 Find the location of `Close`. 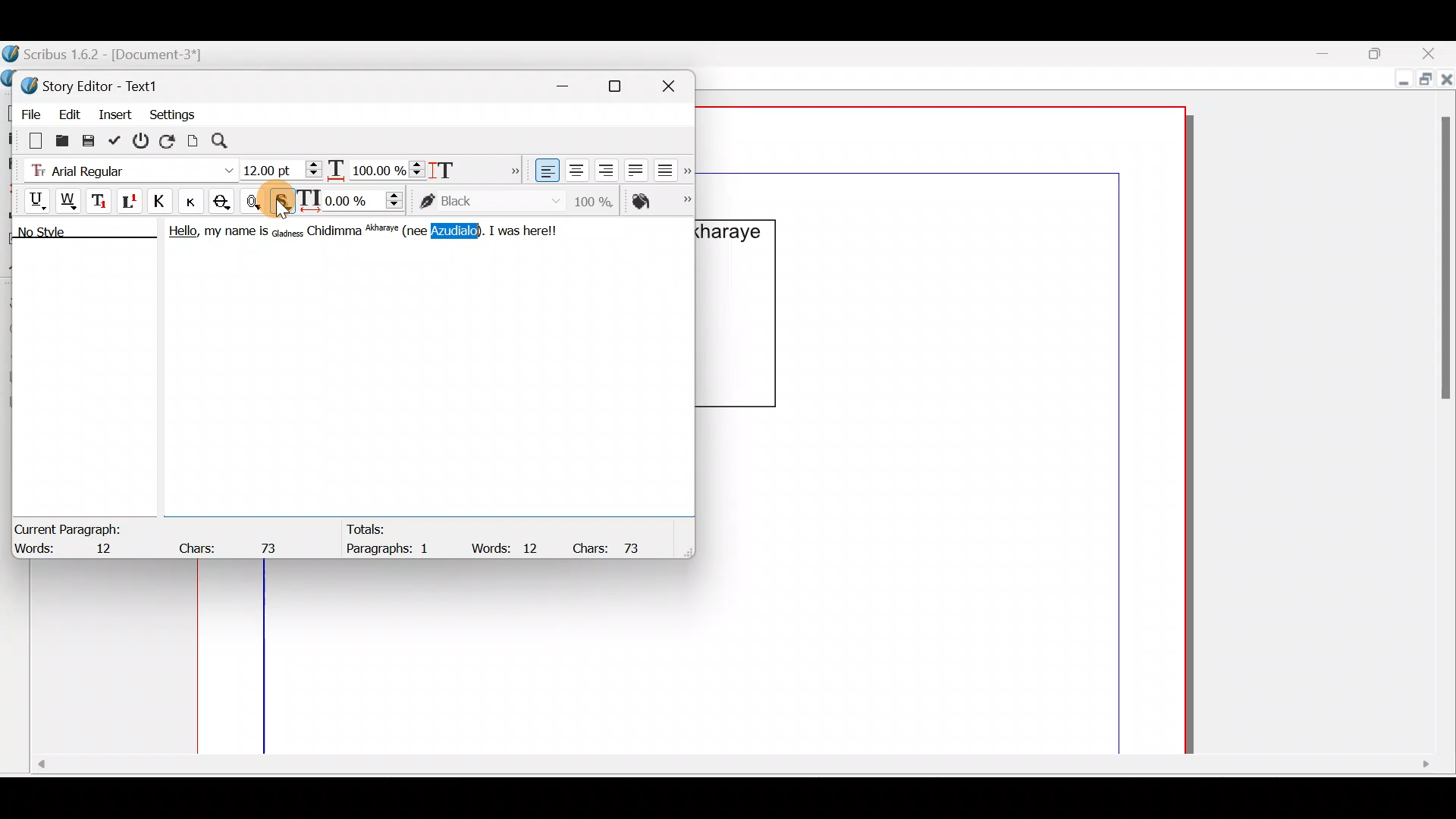

Close is located at coordinates (1433, 53).